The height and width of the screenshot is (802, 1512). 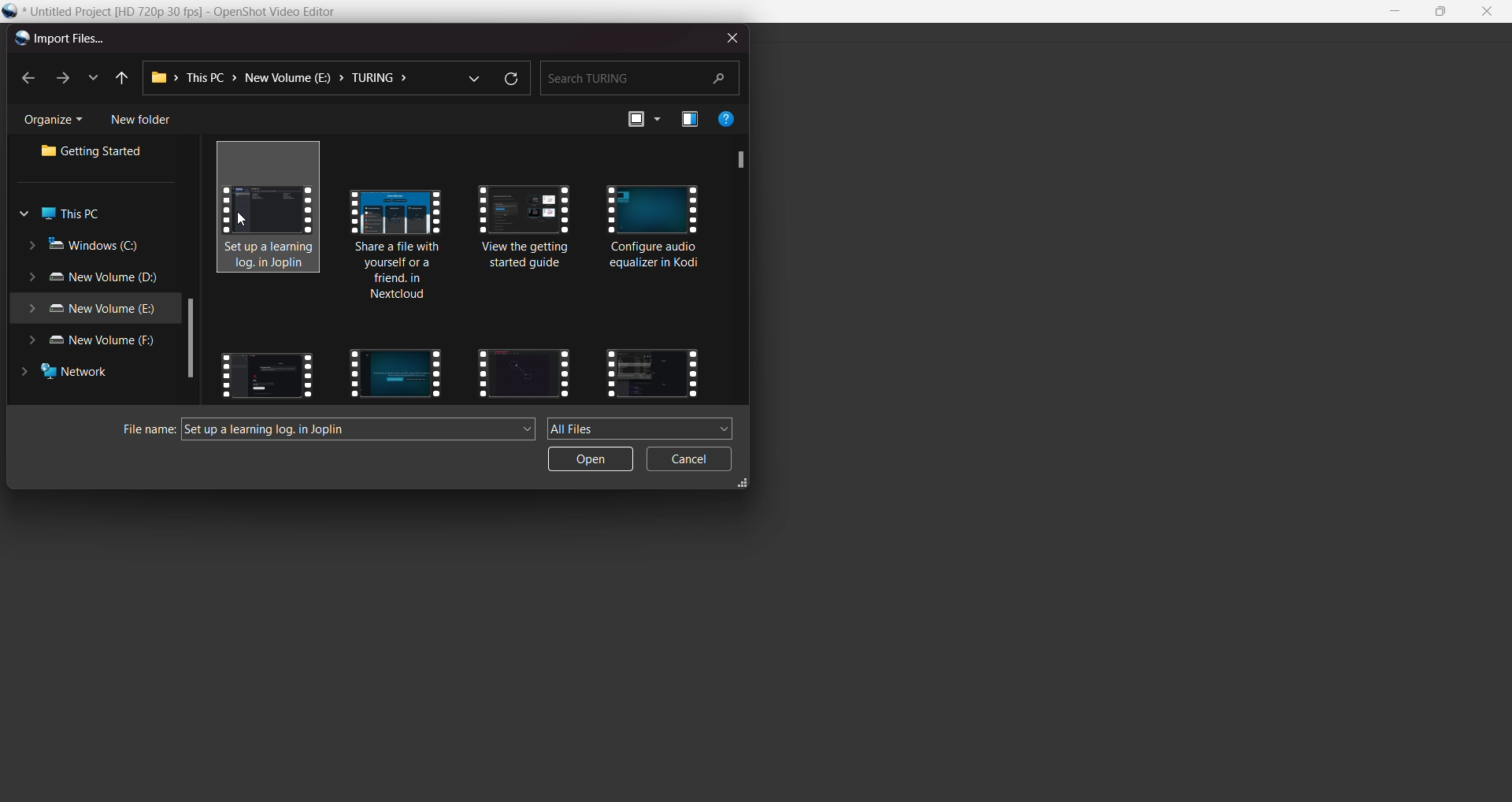 What do you see at coordinates (97, 153) in the screenshot?
I see `getting started` at bounding box center [97, 153].